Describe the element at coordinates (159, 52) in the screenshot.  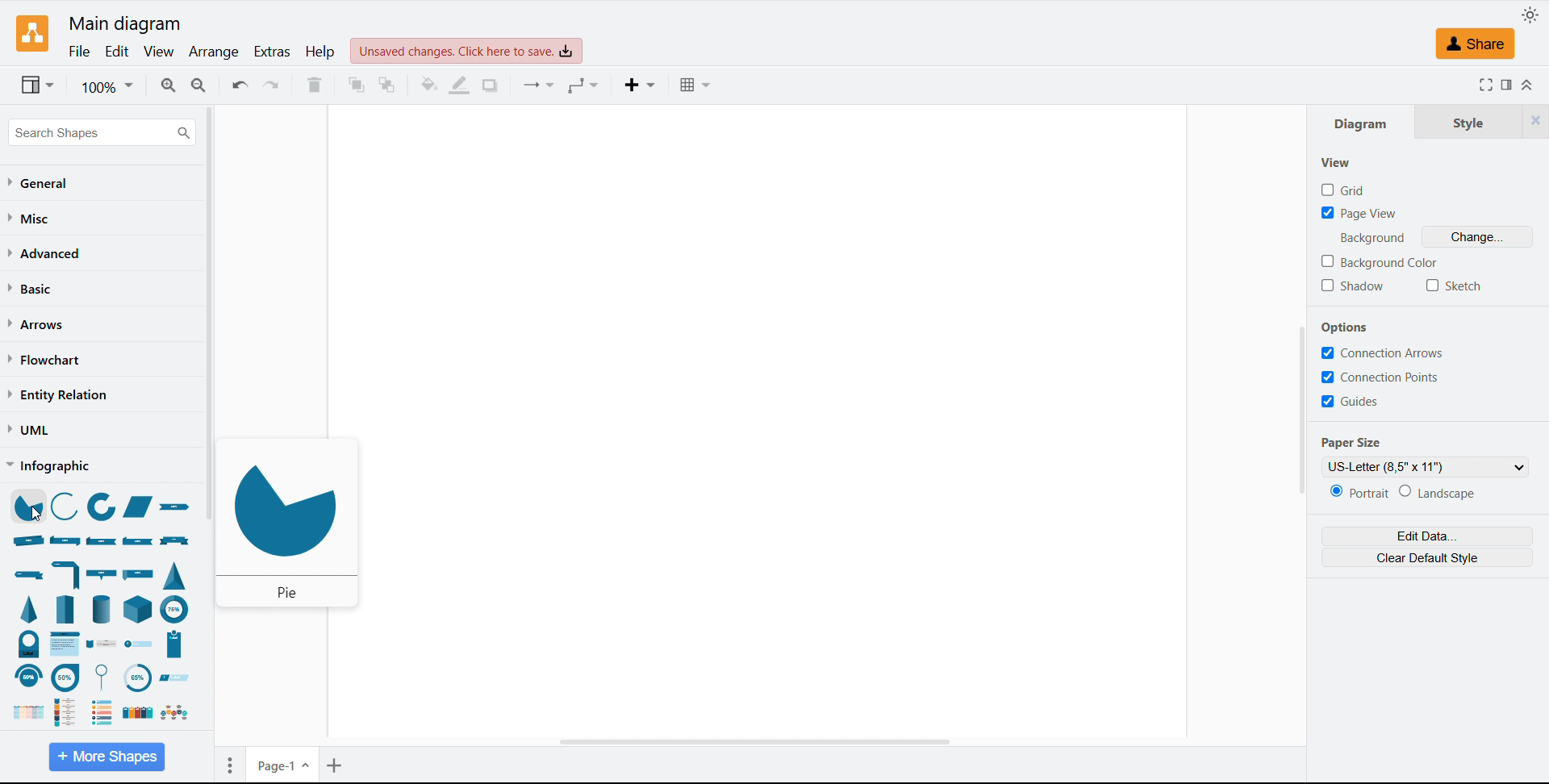
I see `view ` at that location.